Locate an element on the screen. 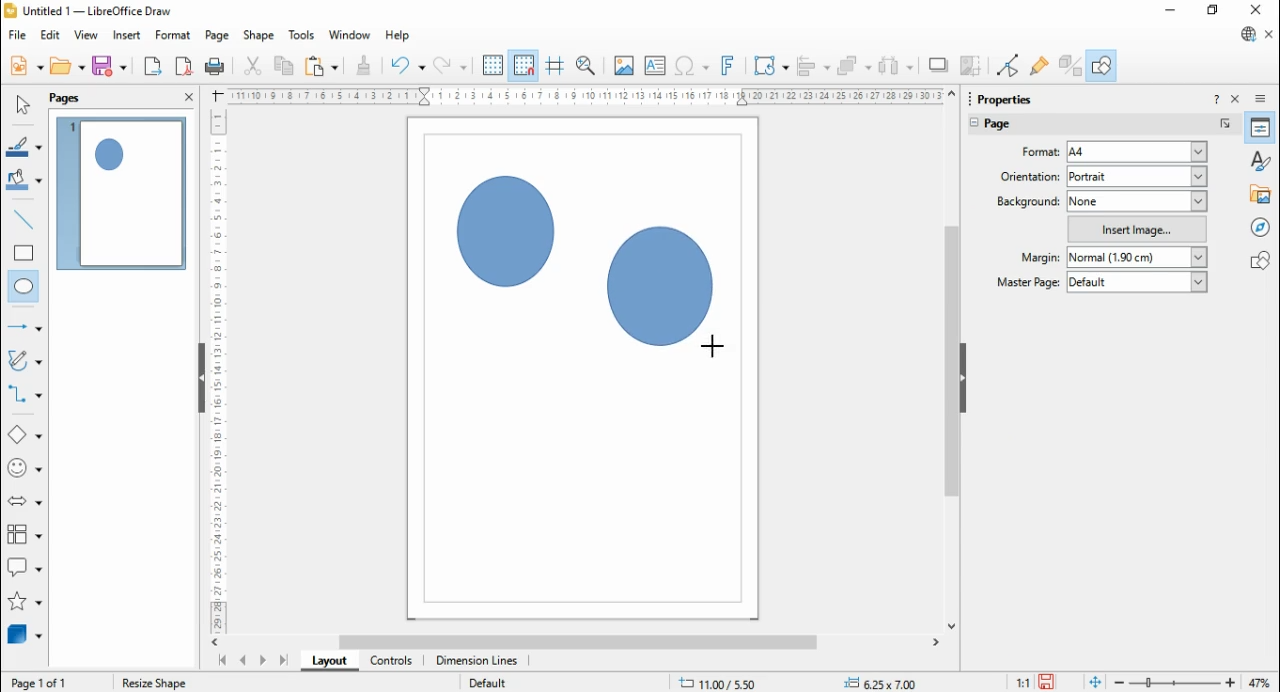  page orientation is located at coordinates (1026, 176).